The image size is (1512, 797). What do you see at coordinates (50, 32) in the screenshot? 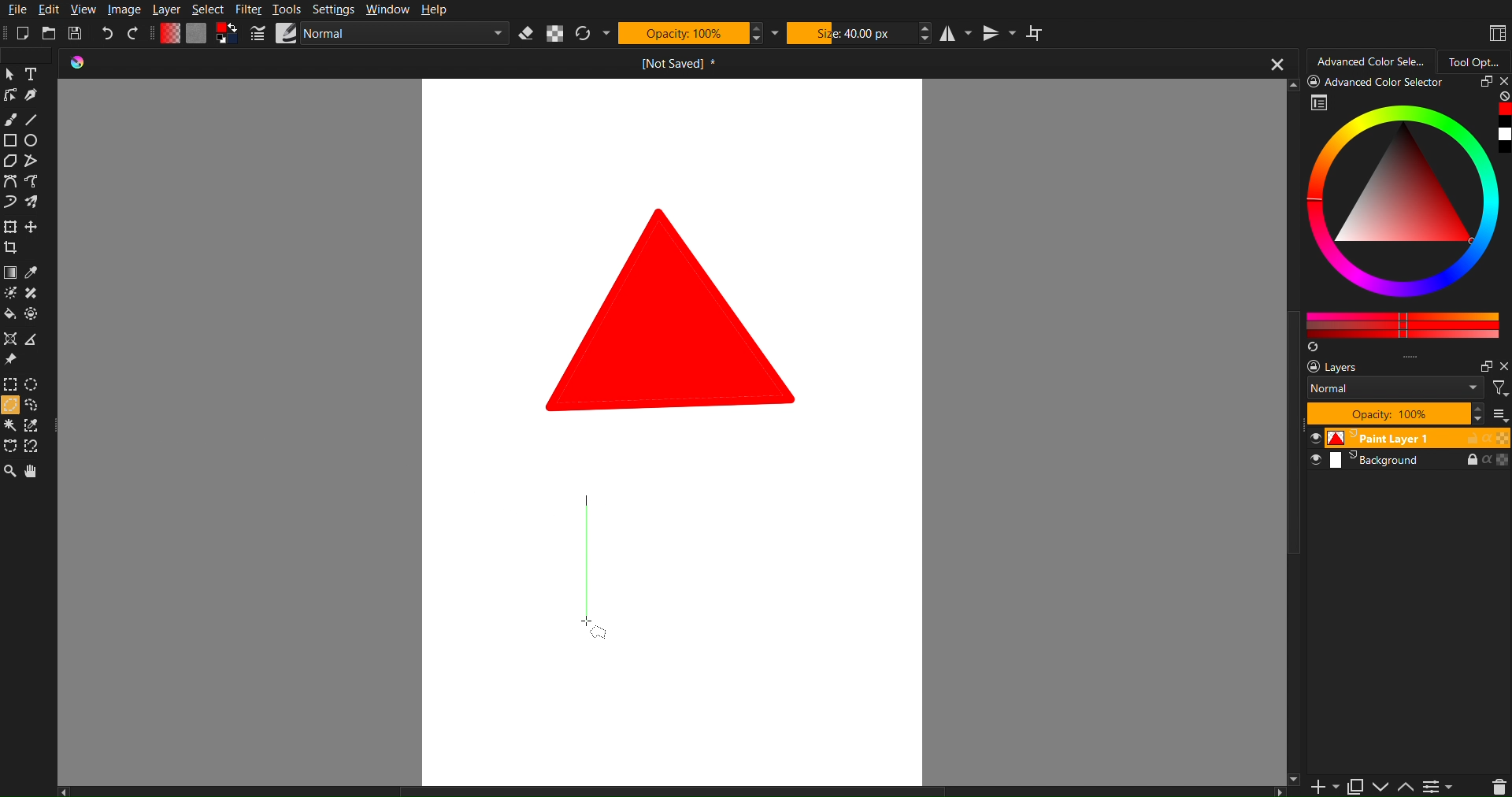
I see `Open` at bounding box center [50, 32].